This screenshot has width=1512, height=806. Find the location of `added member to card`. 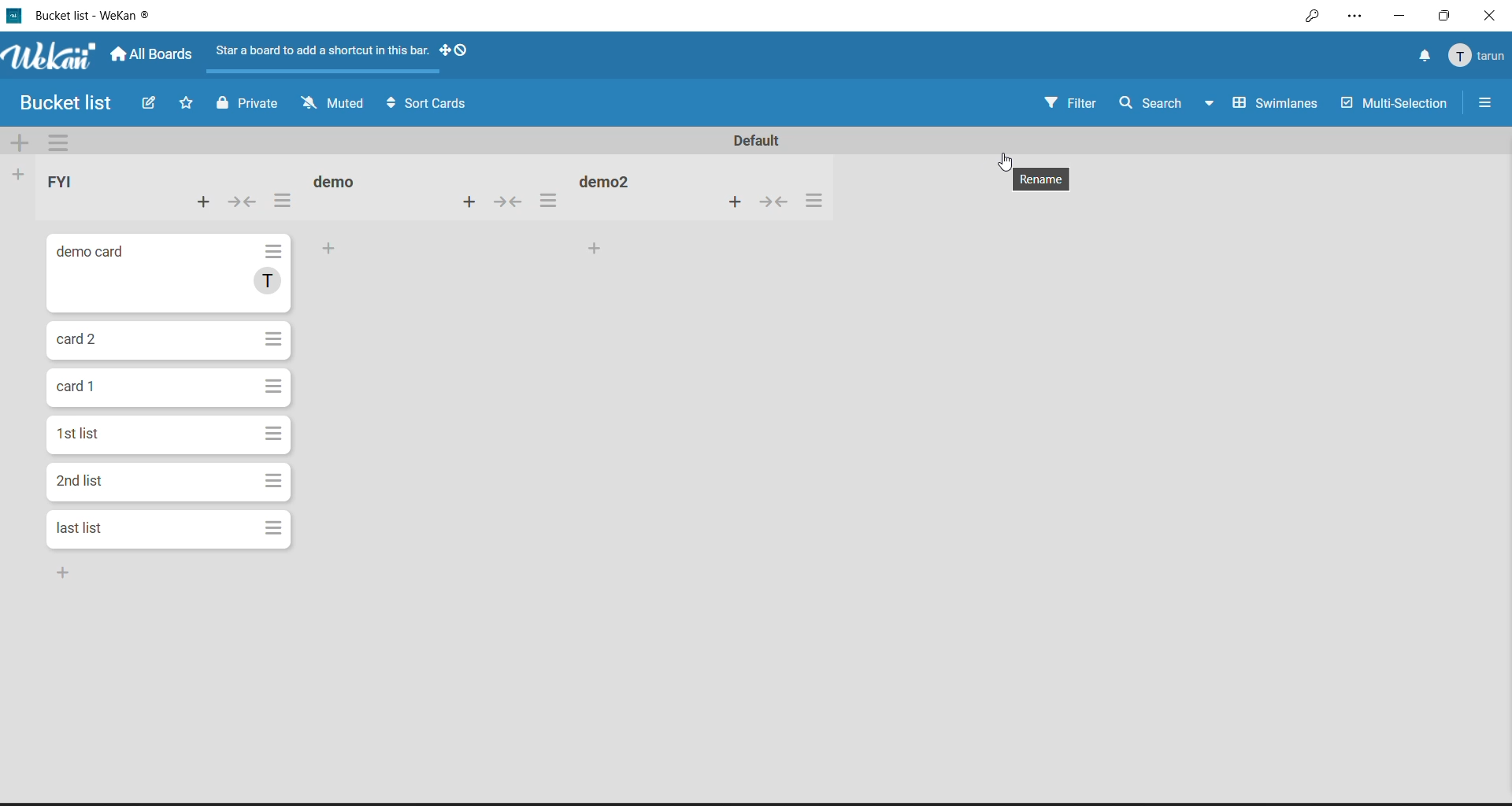

added member to card is located at coordinates (265, 282).